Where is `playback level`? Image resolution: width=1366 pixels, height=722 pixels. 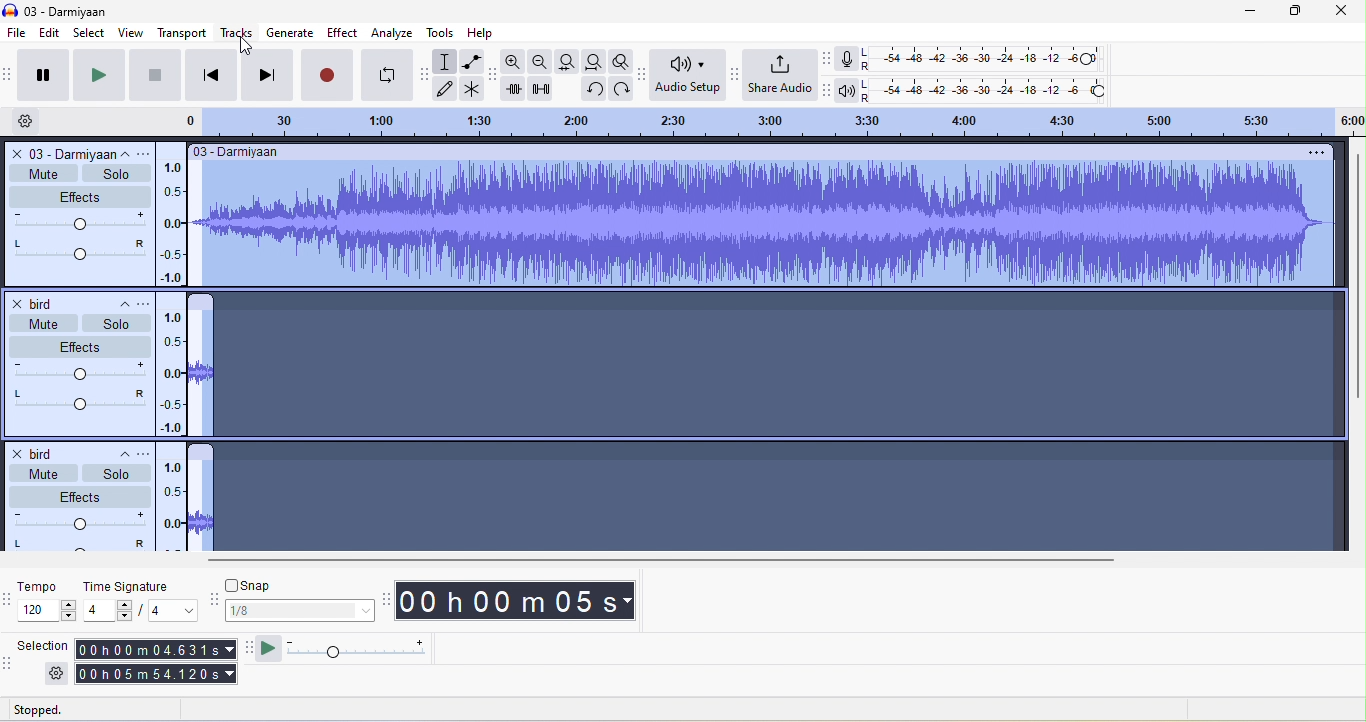
playback level is located at coordinates (986, 92).